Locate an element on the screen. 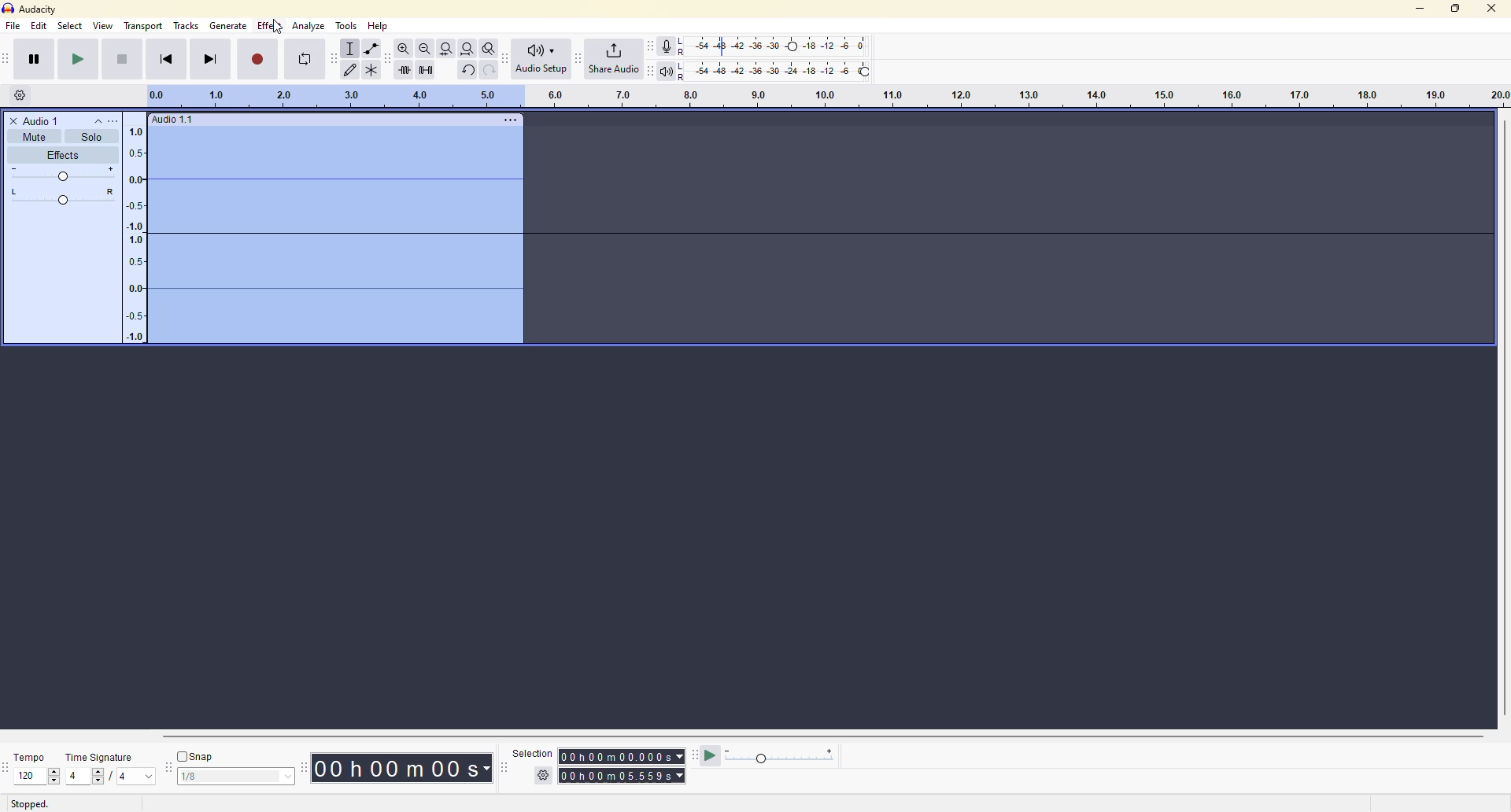 This screenshot has height=812, width=1511. playback meter is located at coordinates (666, 70).